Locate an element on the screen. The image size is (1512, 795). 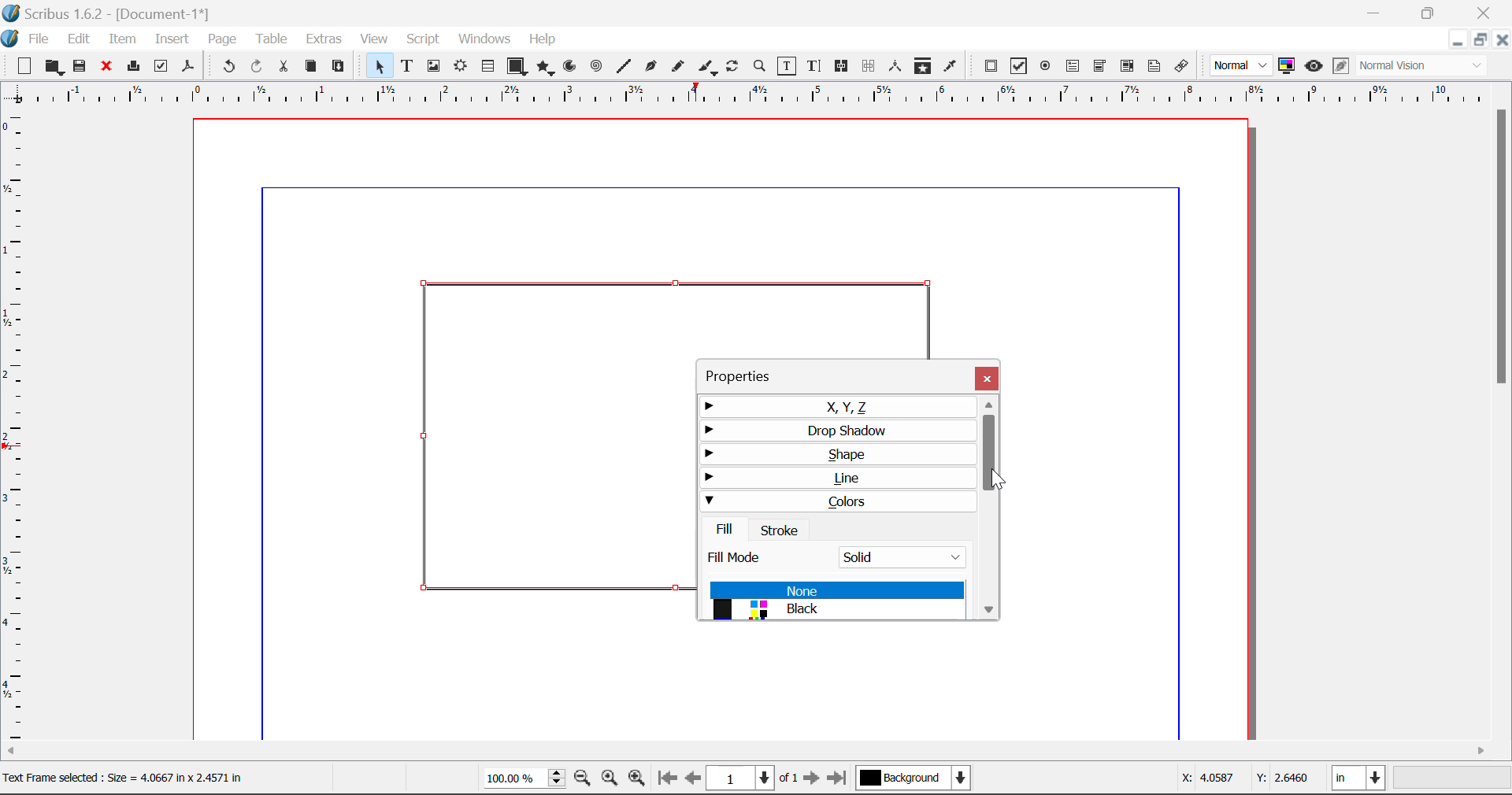
Restore Down is located at coordinates (1457, 39).